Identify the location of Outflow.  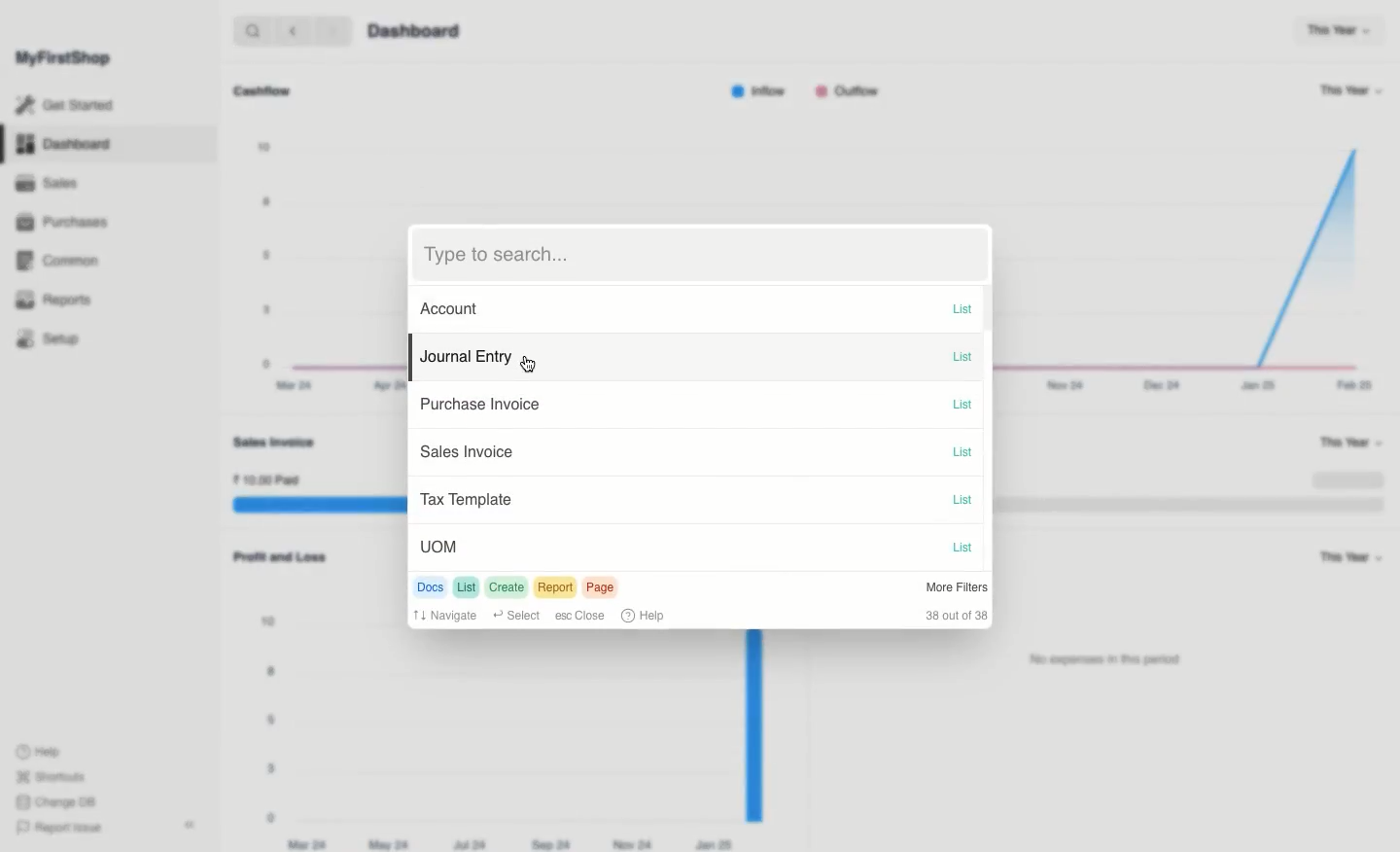
(850, 90).